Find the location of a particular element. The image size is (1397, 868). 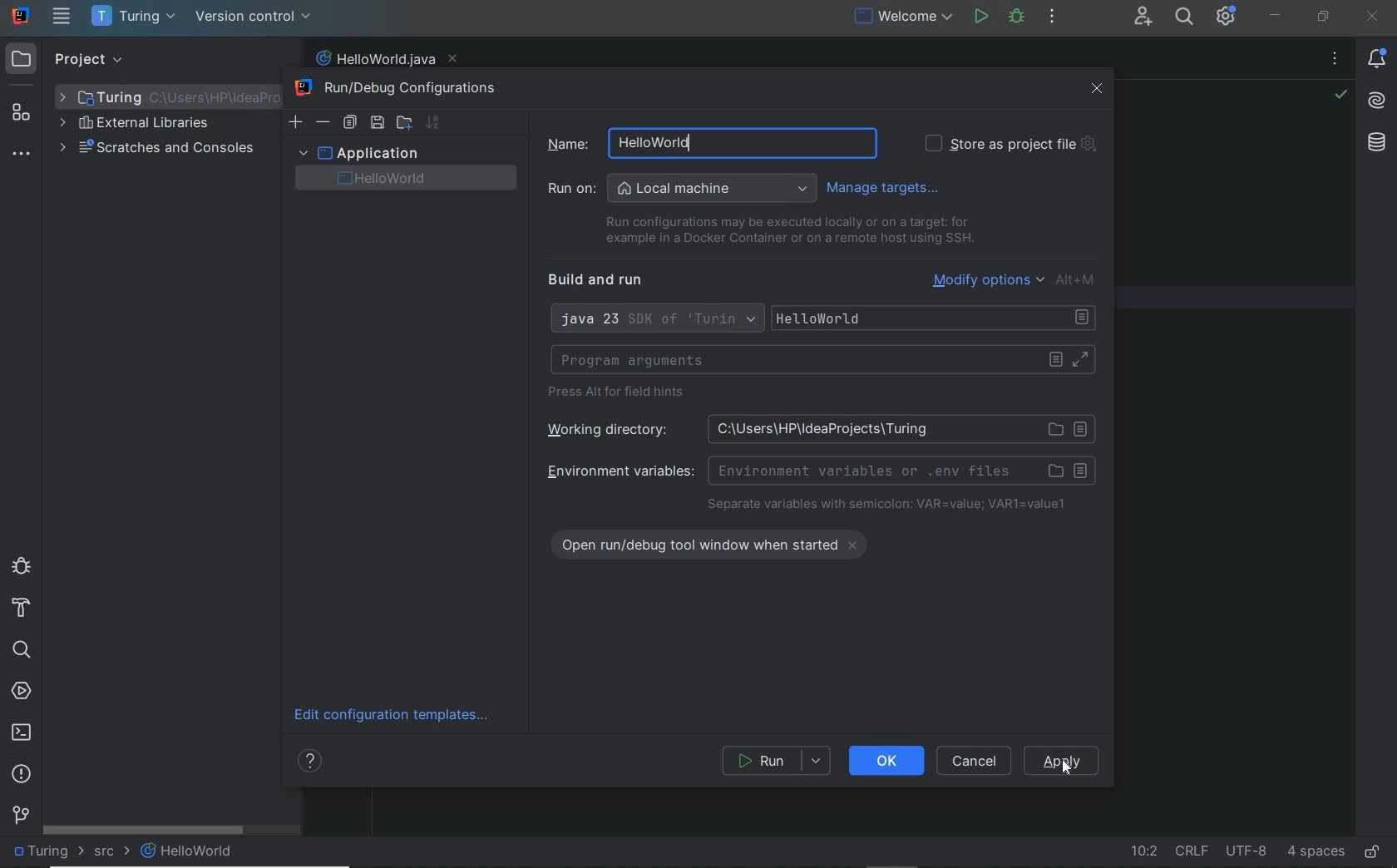

make file ready only is located at coordinates (1373, 853).